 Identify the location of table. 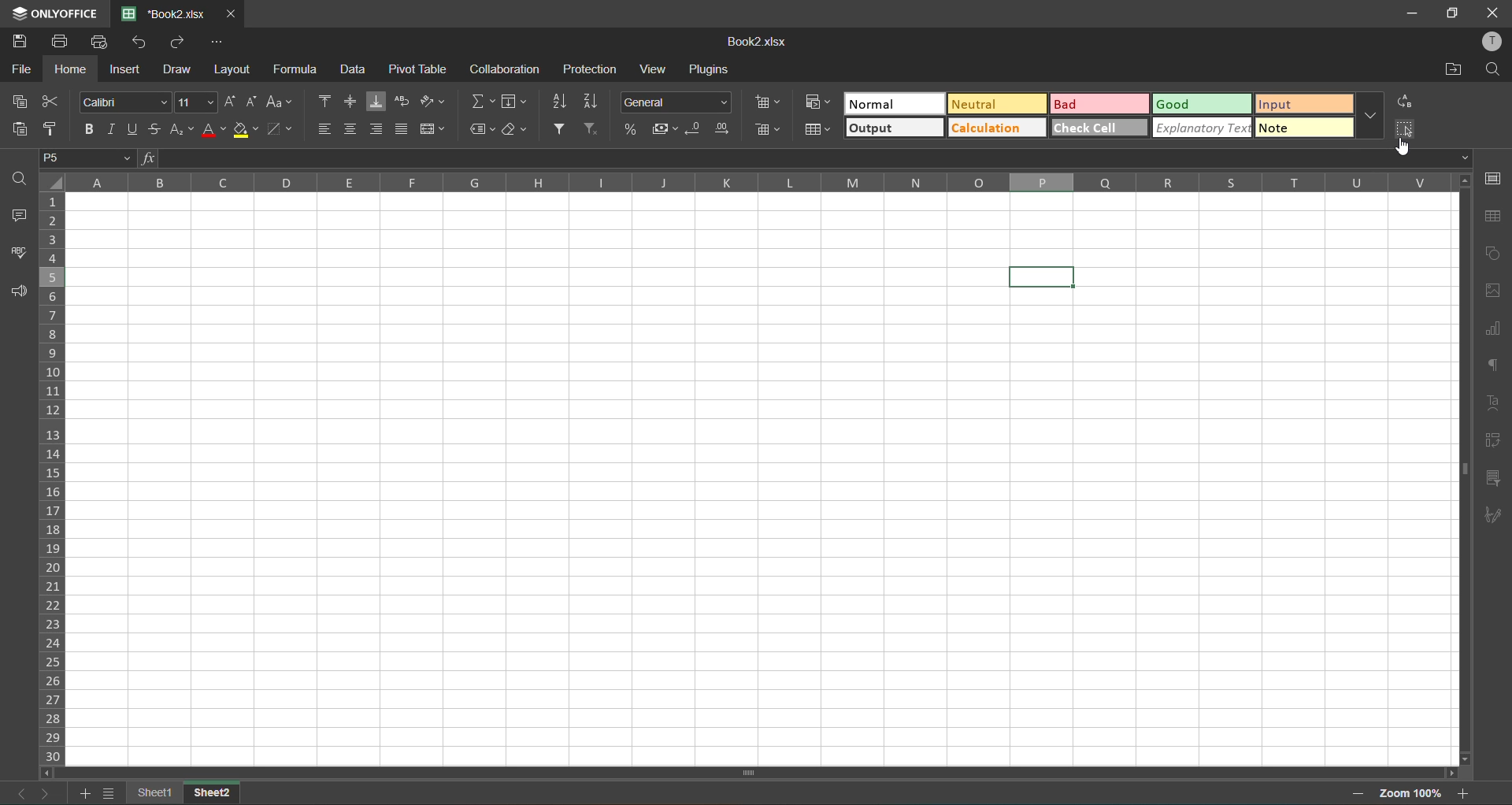
(1494, 218).